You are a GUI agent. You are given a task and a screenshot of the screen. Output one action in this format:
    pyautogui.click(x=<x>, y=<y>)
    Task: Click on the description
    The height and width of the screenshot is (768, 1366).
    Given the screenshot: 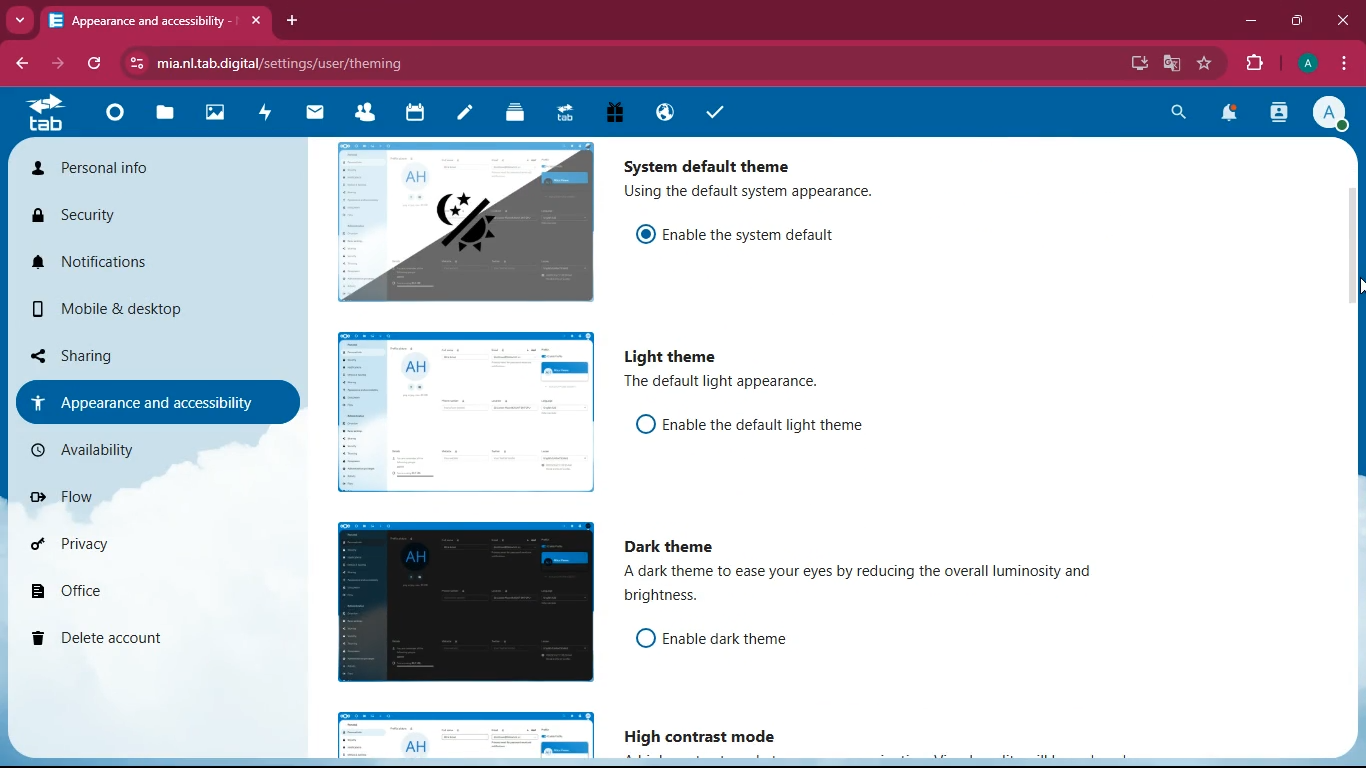 What is the action you would take?
    pyautogui.click(x=725, y=383)
    